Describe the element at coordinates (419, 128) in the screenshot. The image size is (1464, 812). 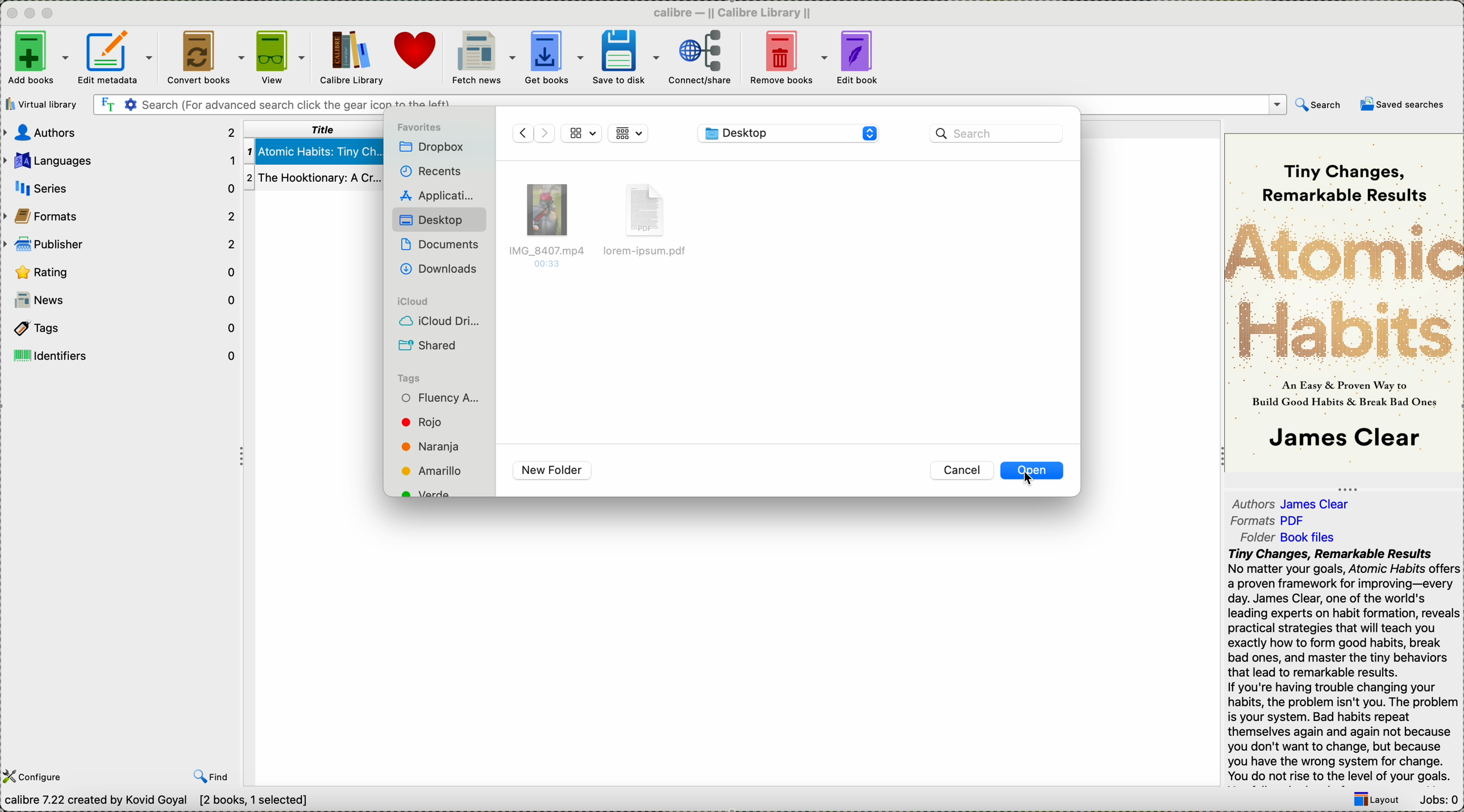
I see `favorites` at that location.